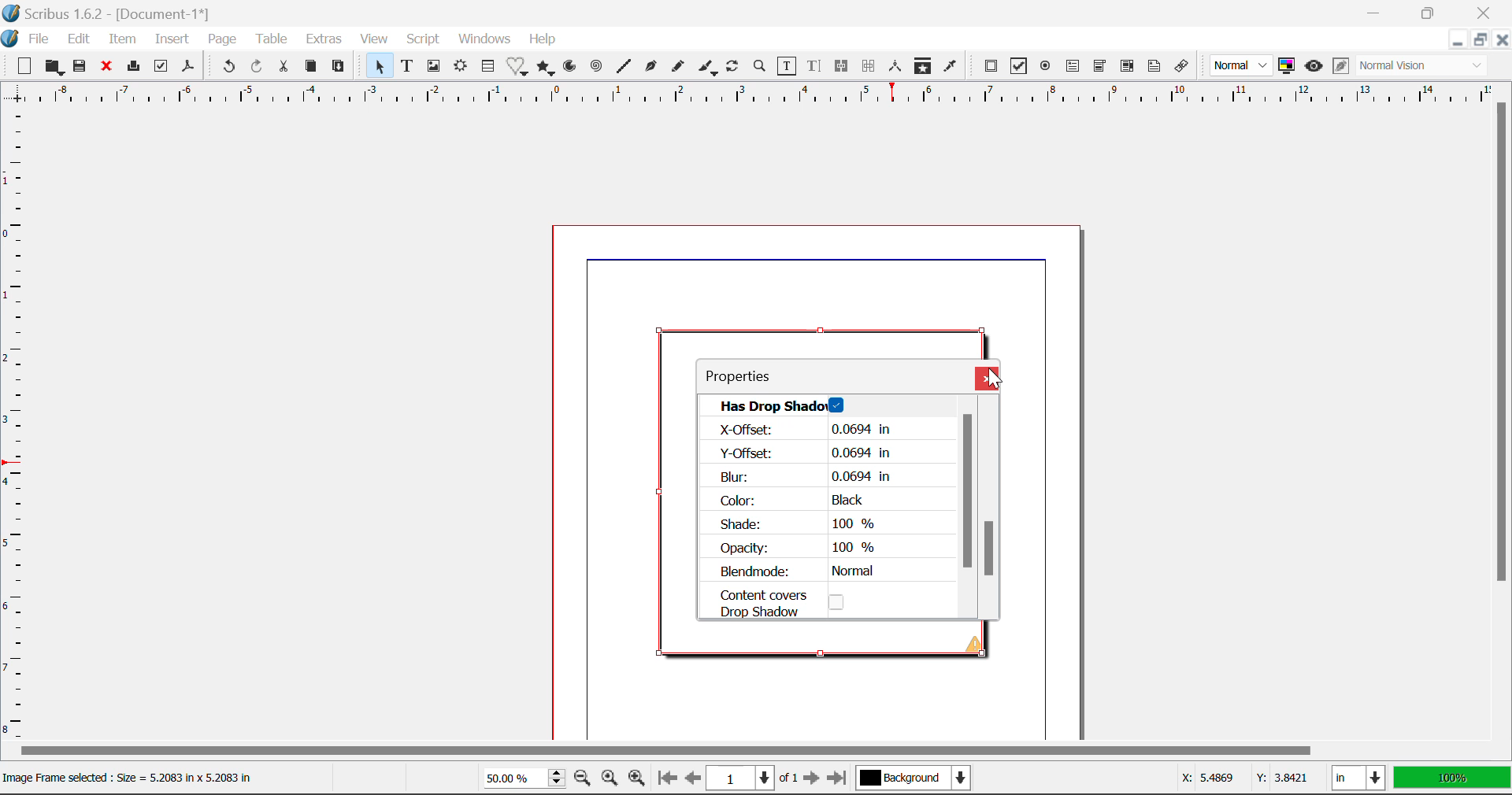 This screenshot has height=795, width=1512. What do you see at coordinates (1503, 407) in the screenshot?
I see `Vertical Scroll Bar` at bounding box center [1503, 407].